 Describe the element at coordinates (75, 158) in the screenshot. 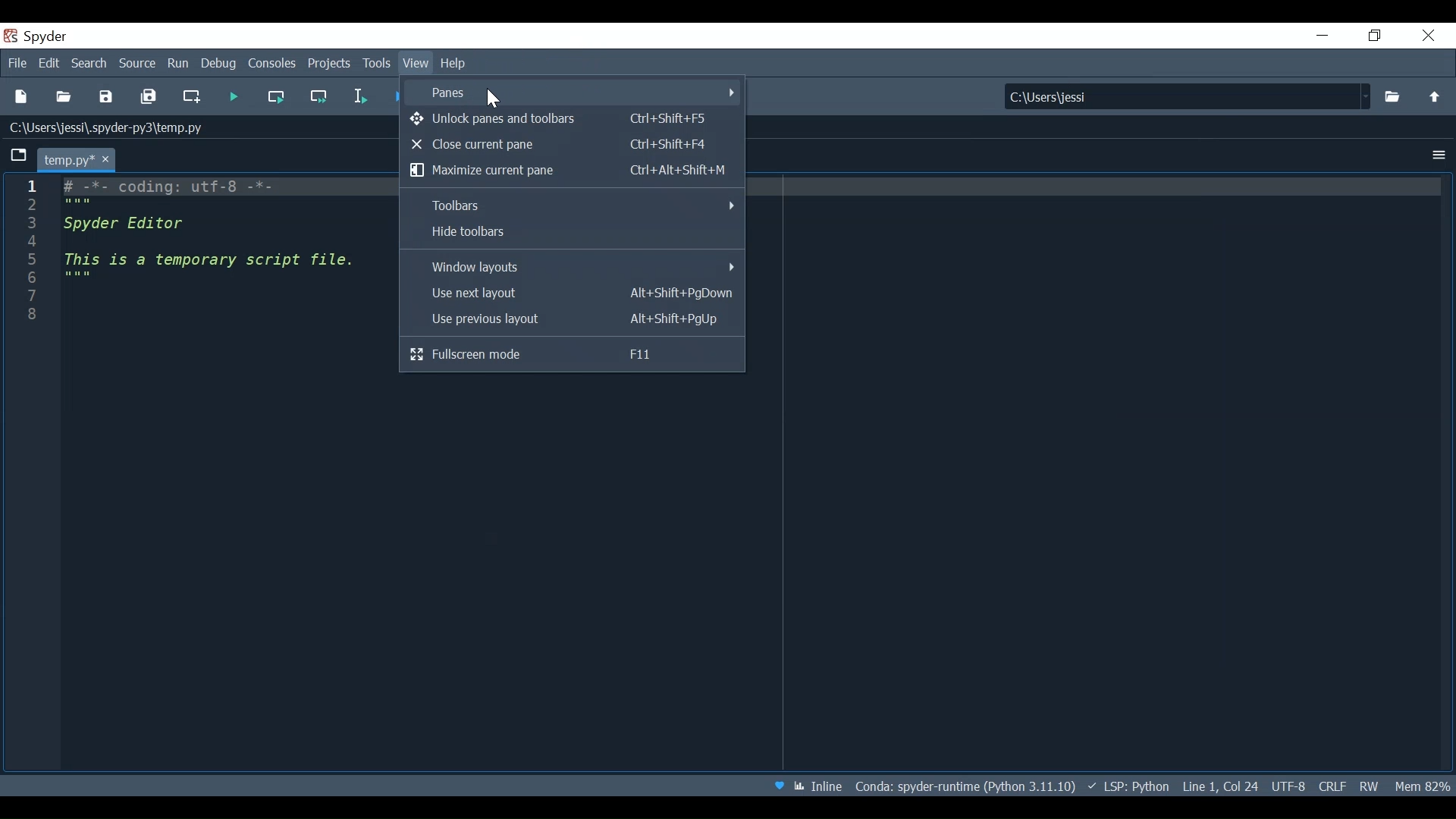

I see `Current tab` at that location.